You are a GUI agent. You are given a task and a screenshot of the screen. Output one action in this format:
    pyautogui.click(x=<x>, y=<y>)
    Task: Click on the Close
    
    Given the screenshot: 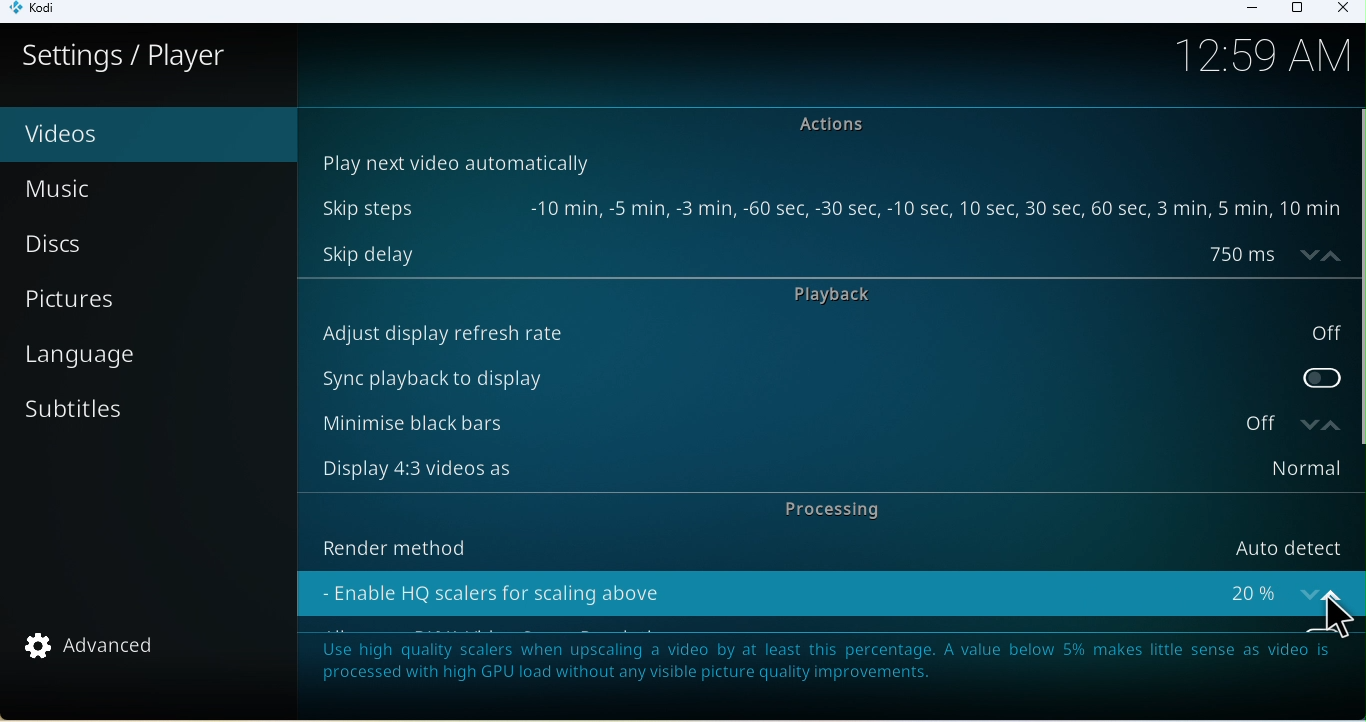 What is the action you would take?
    pyautogui.click(x=1341, y=10)
    